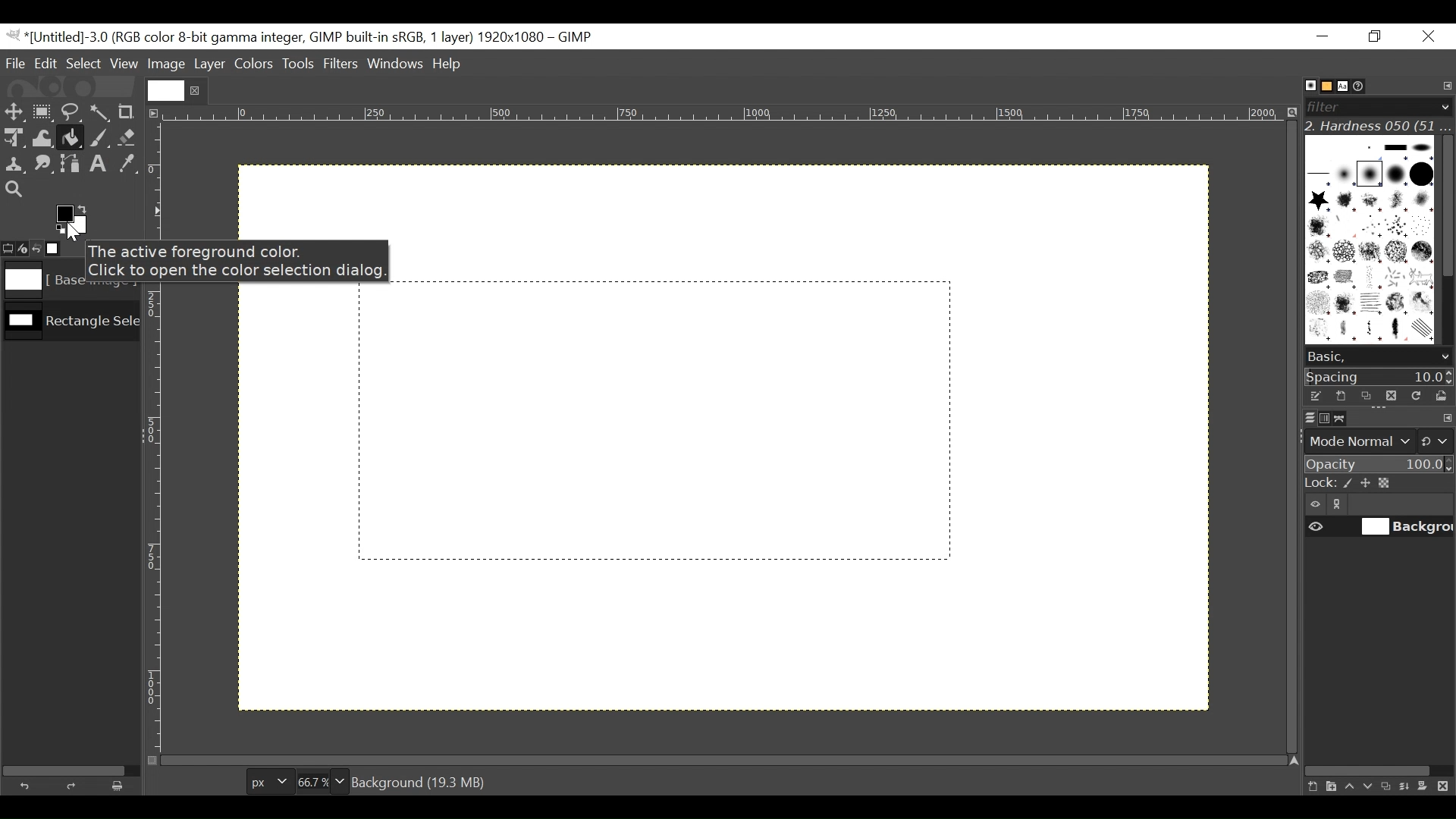 Image resolution: width=1456 pixels, height=819 pixels. What do you see at coordinates (243, 261) in the screenshot?
I see `Active foreground color popup` at bounding box center [243, 261].